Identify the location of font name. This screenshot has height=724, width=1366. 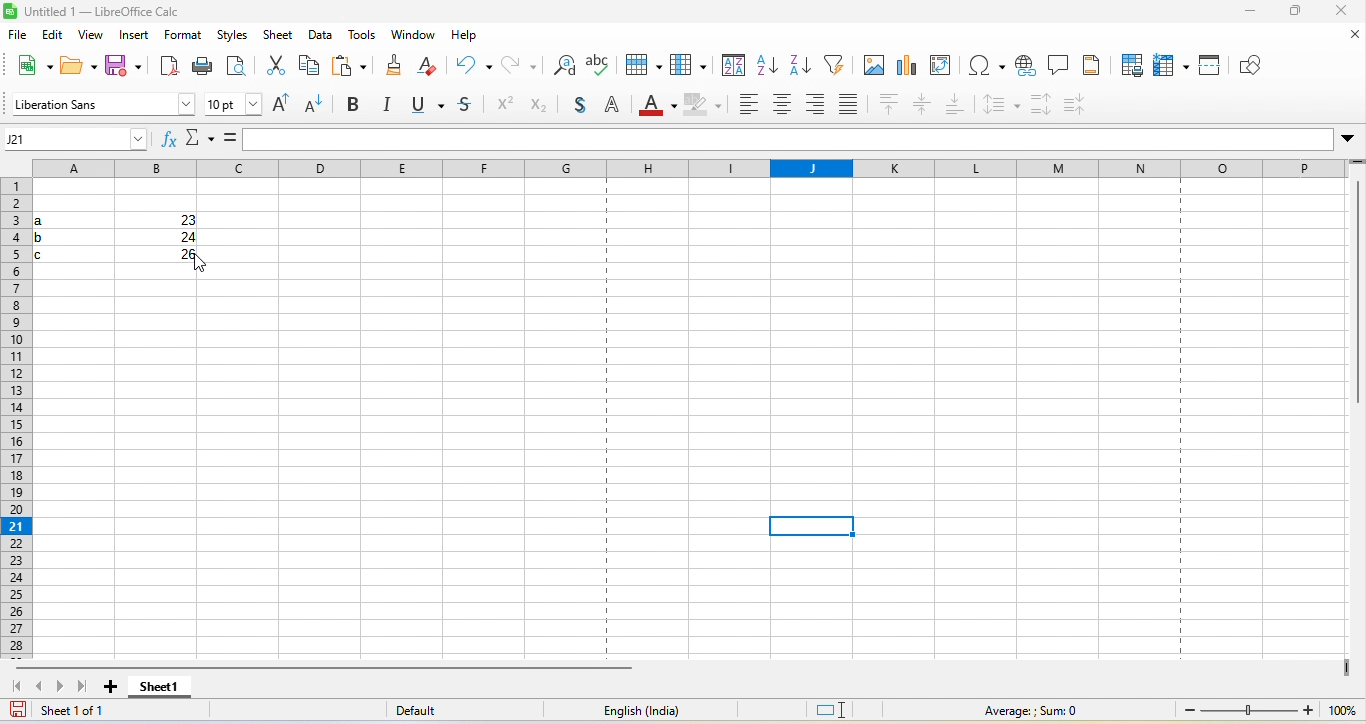
(98, 104).